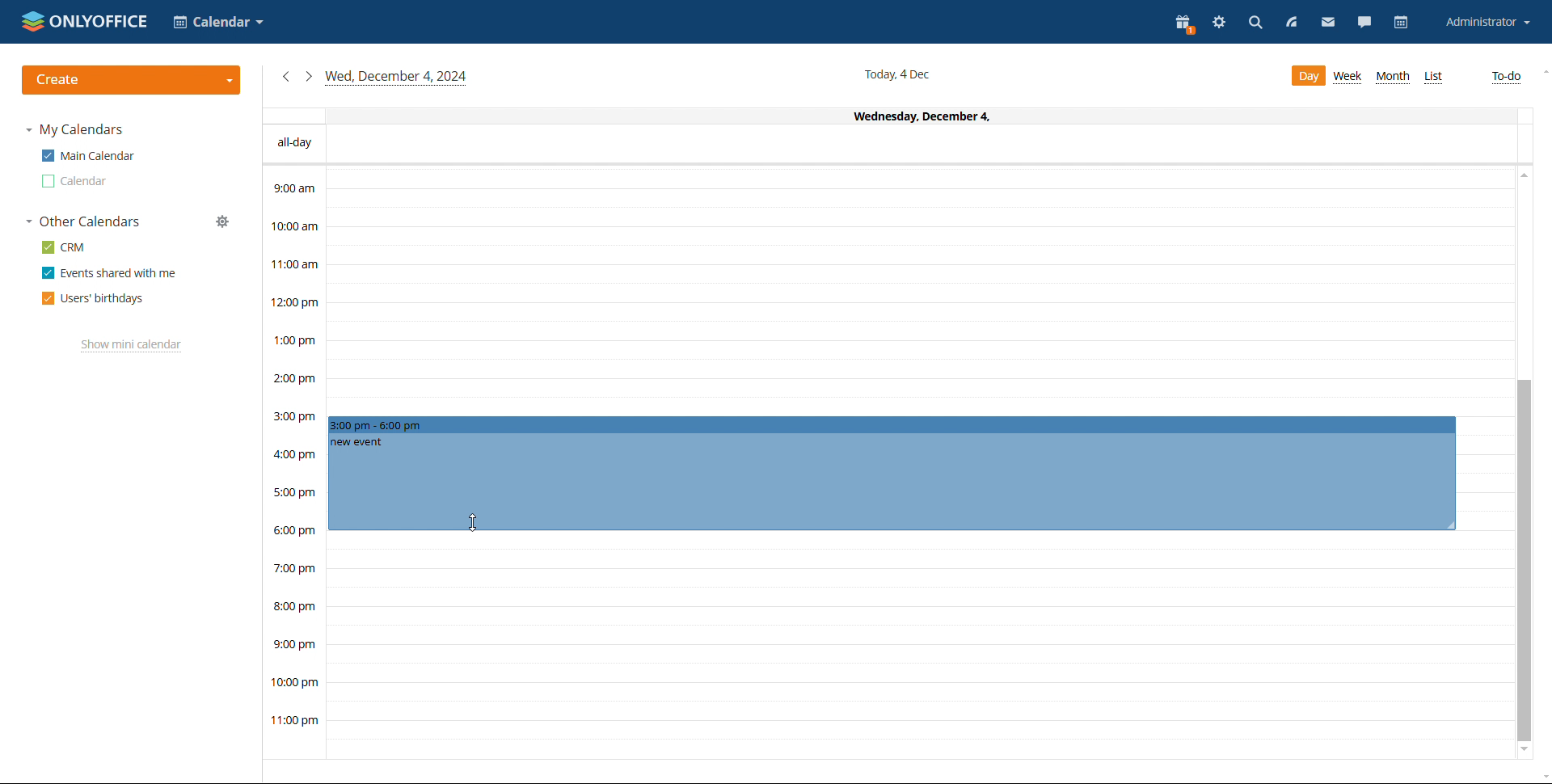 This screenshot has width=1552, height=784. What do you see at coordinates (1365, 22) in the screenshot?
I see `chat` at bounding box center [1365, 22].